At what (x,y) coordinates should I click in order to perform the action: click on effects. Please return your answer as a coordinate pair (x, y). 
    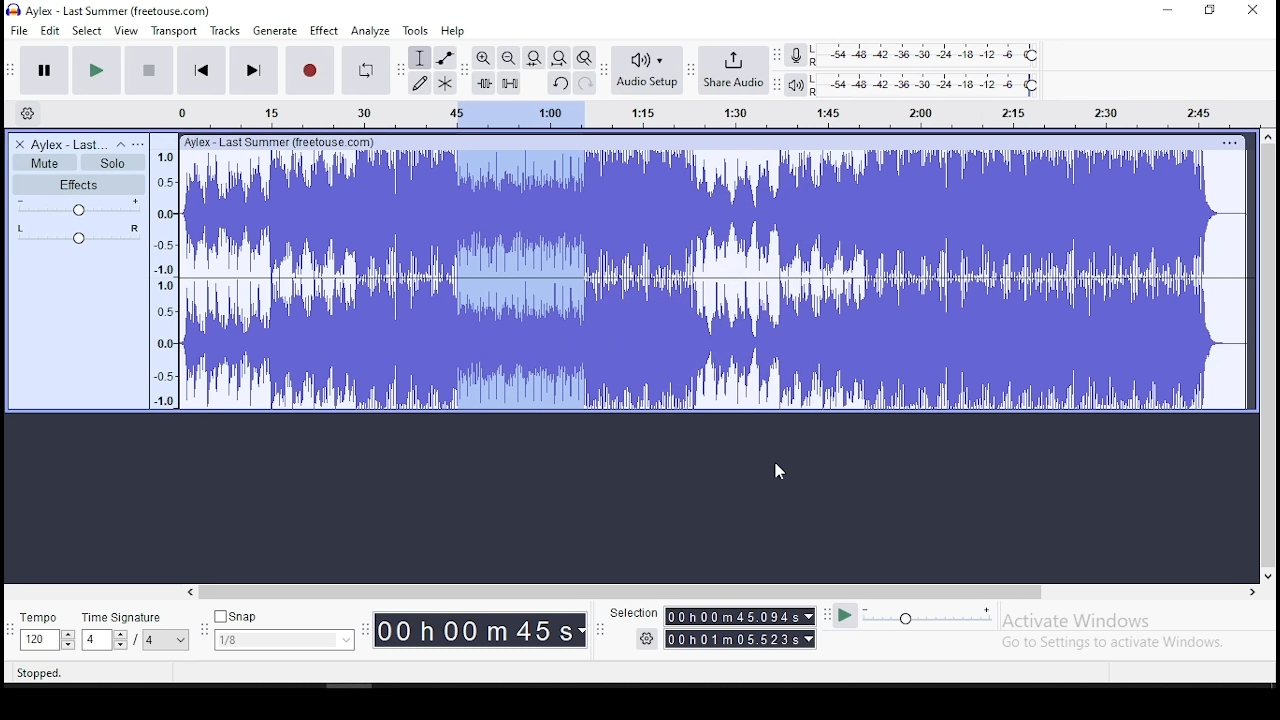
    Looking at the image, I should click on (80, 184).